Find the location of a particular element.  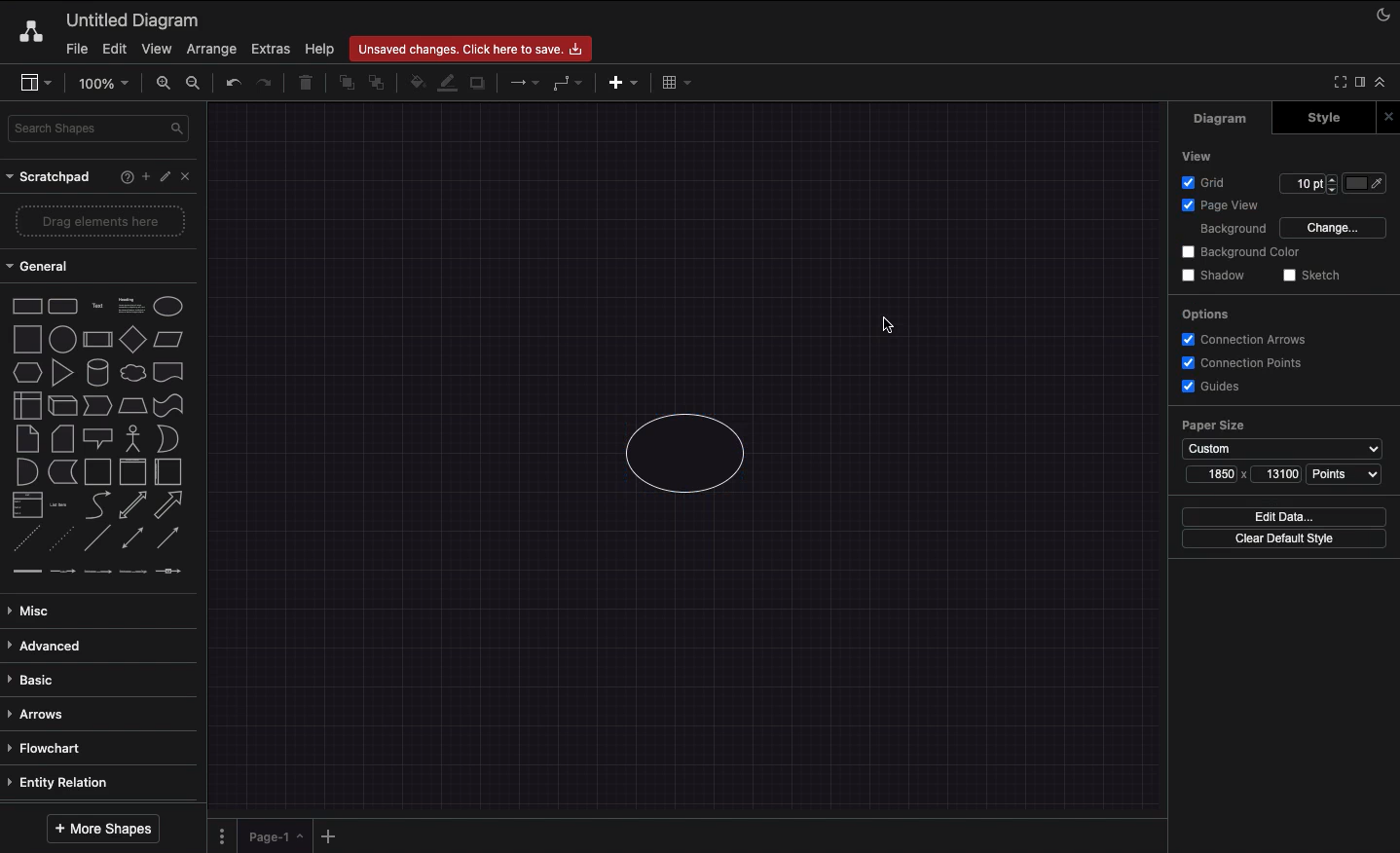

Points is located at coordinates (1345, 474).